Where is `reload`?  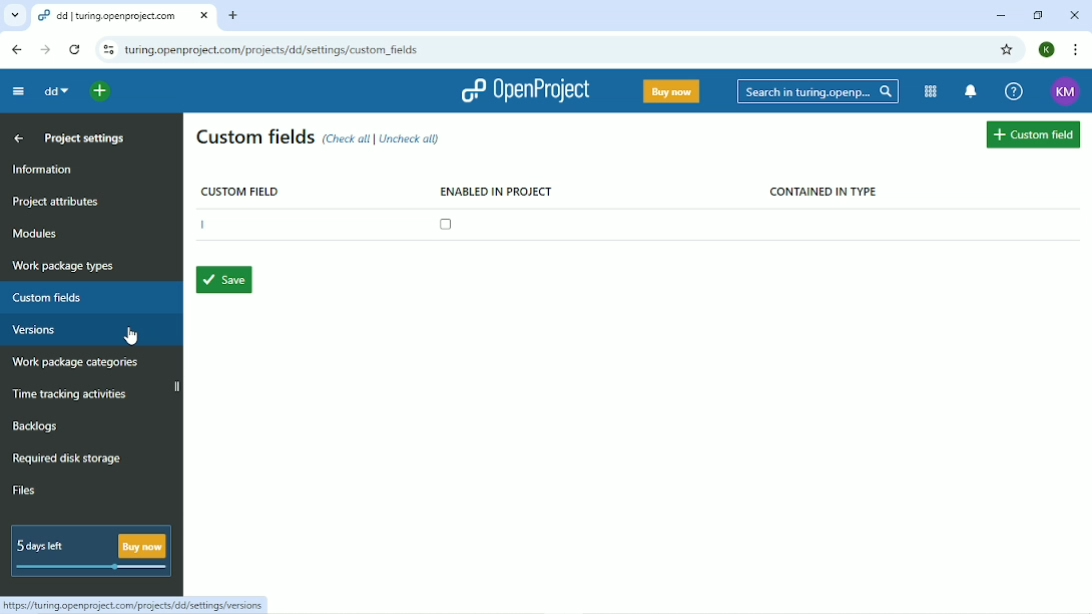
reload is located at coordinates (105, 50).